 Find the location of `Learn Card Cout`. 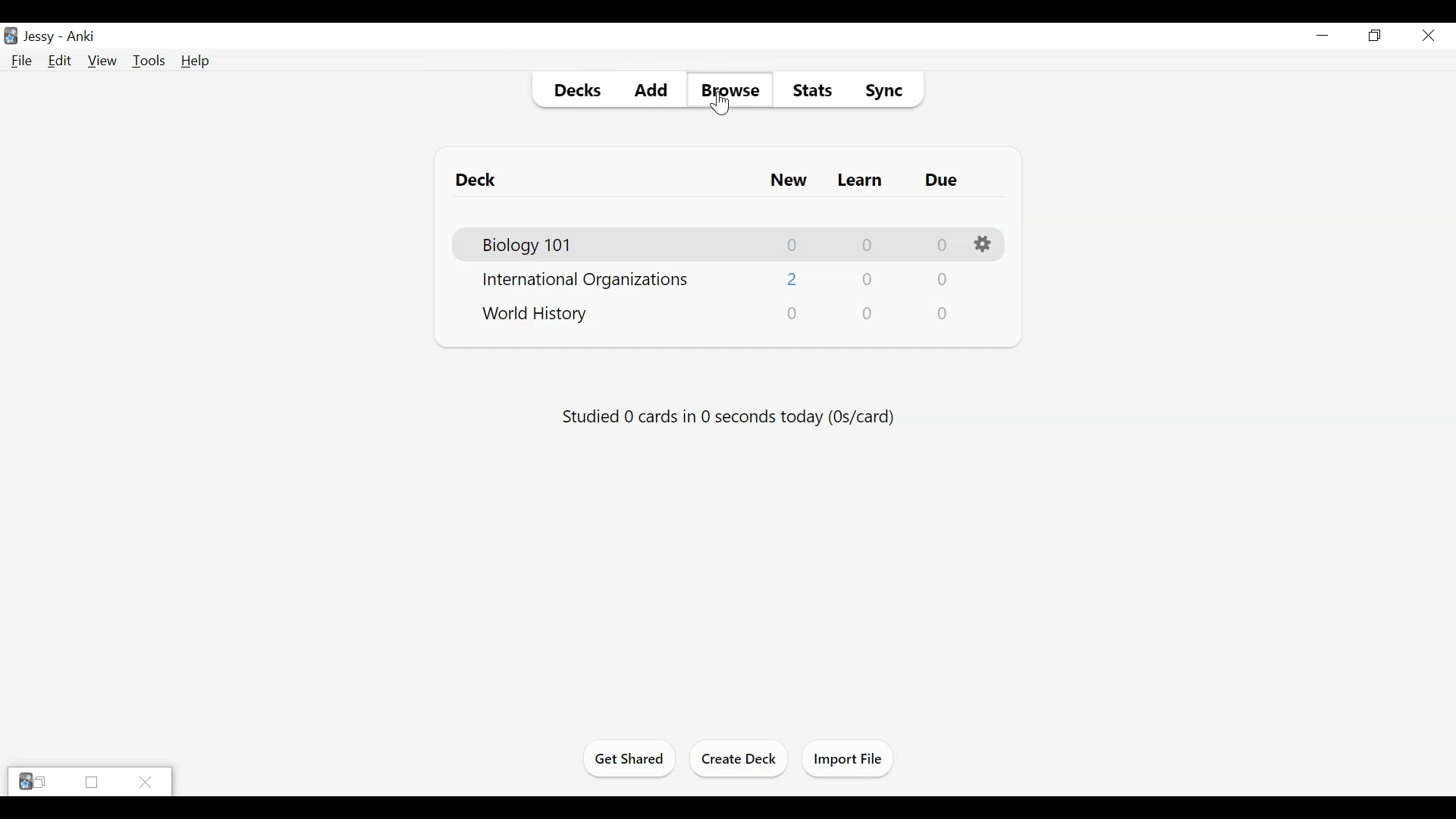

Learn Card Cout is located at coordinates (868, 313).